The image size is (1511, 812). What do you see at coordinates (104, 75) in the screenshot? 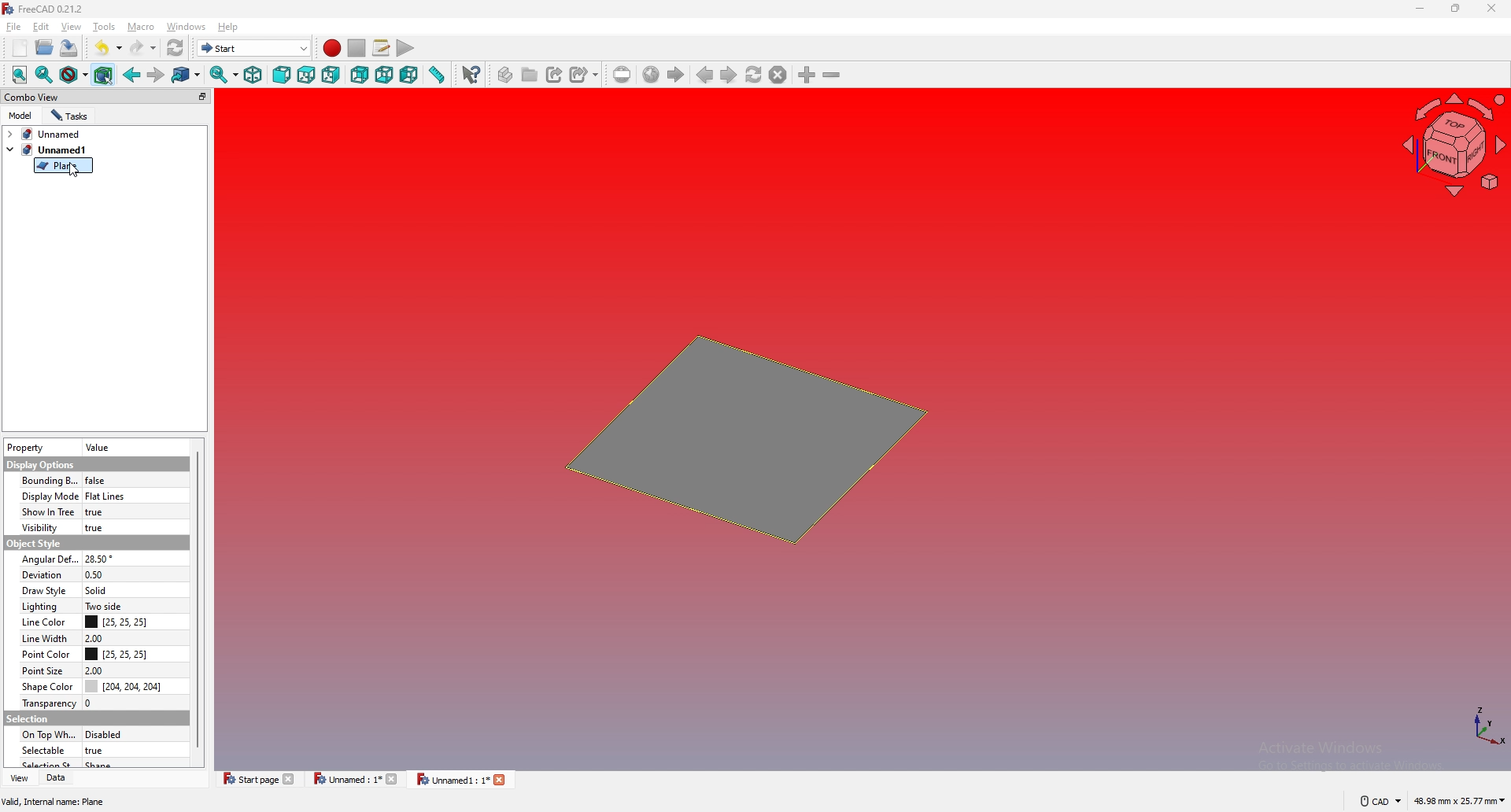
I see `bounding box` at bounding box center [104, 75].